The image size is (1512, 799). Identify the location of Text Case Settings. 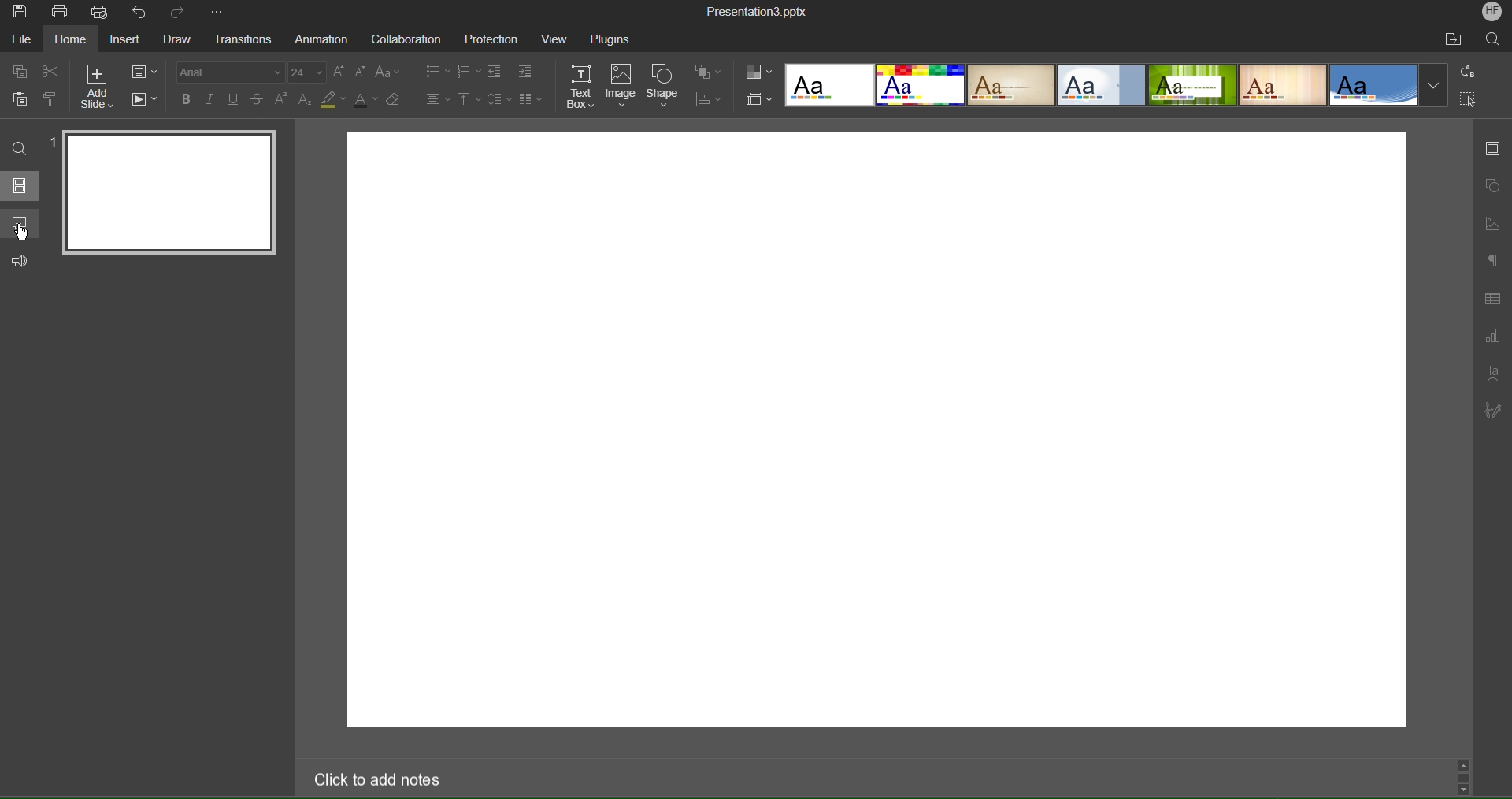
(387, 75).